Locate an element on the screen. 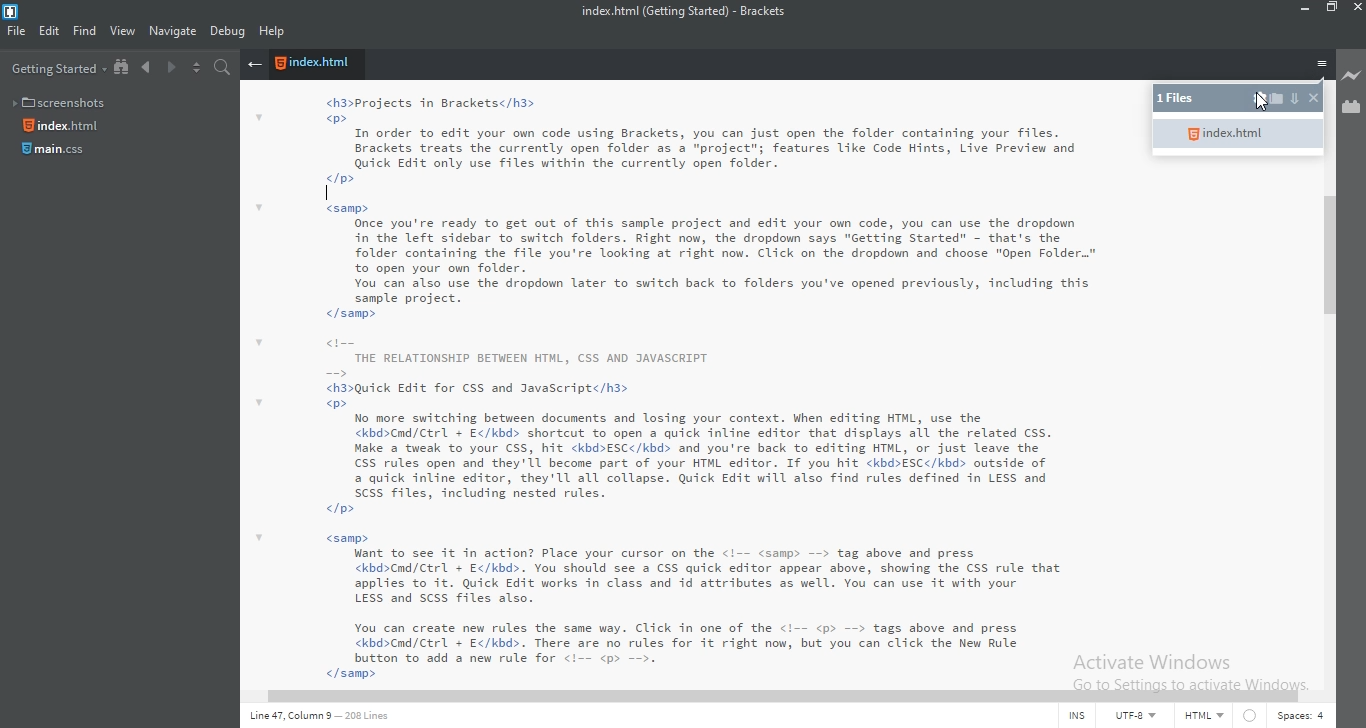 The height and width of the screenshot is (728, 1366). HTML is located at coordinates (1203, 718).